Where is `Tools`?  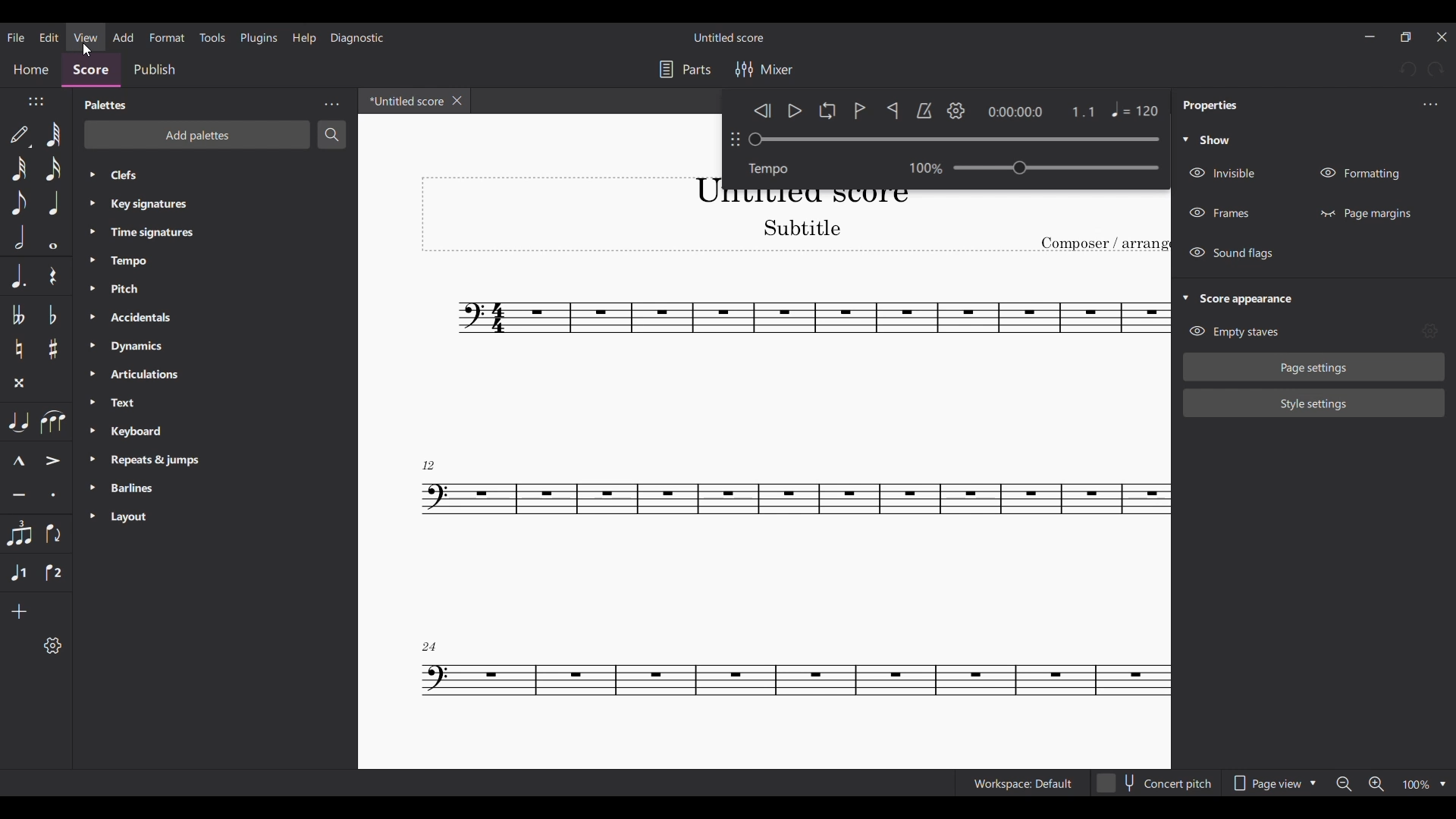 Tools is located at coordinates (212, 37).